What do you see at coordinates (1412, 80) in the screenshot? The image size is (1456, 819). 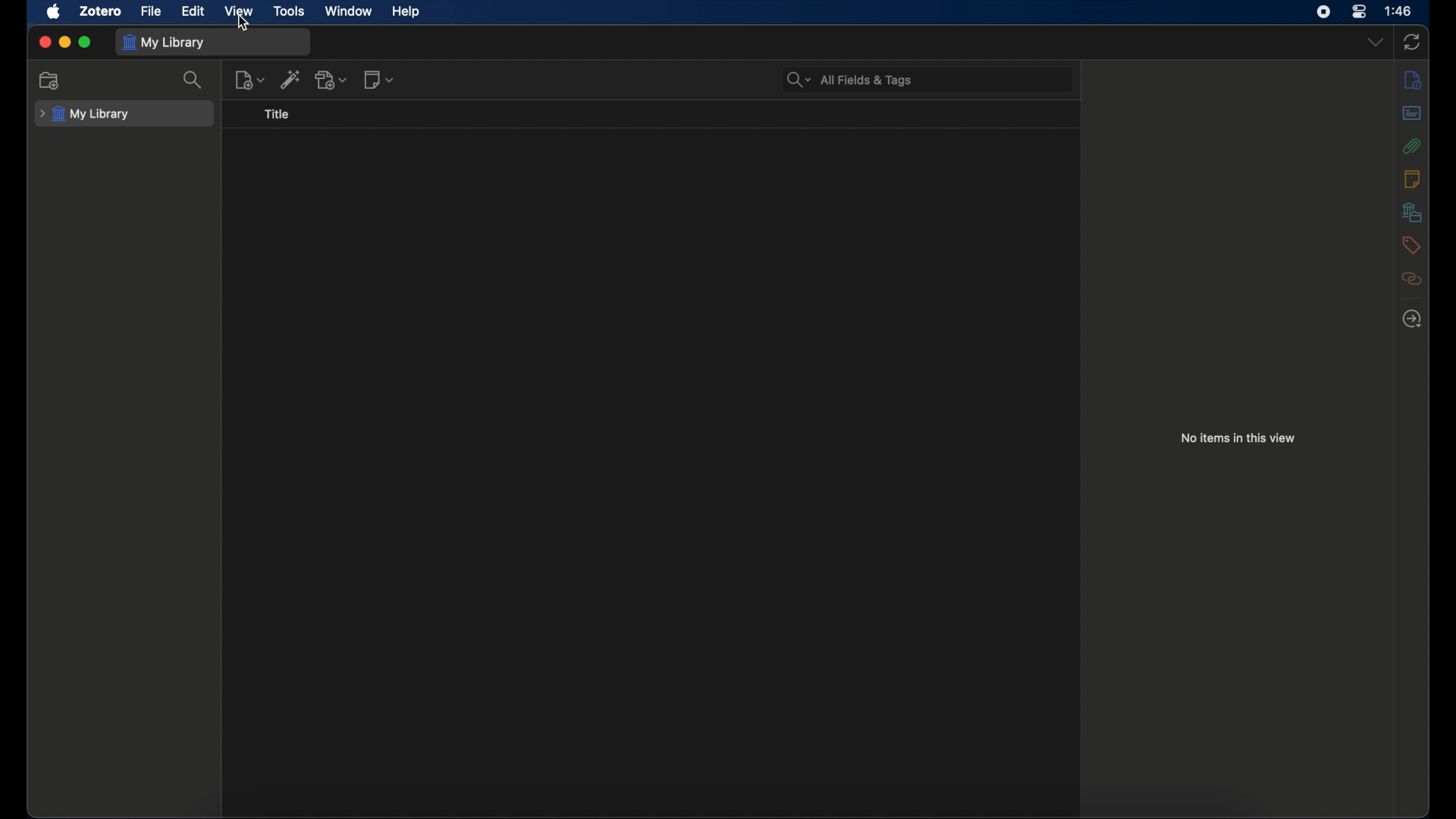 I see `info` at bounding box center [1412, 80].